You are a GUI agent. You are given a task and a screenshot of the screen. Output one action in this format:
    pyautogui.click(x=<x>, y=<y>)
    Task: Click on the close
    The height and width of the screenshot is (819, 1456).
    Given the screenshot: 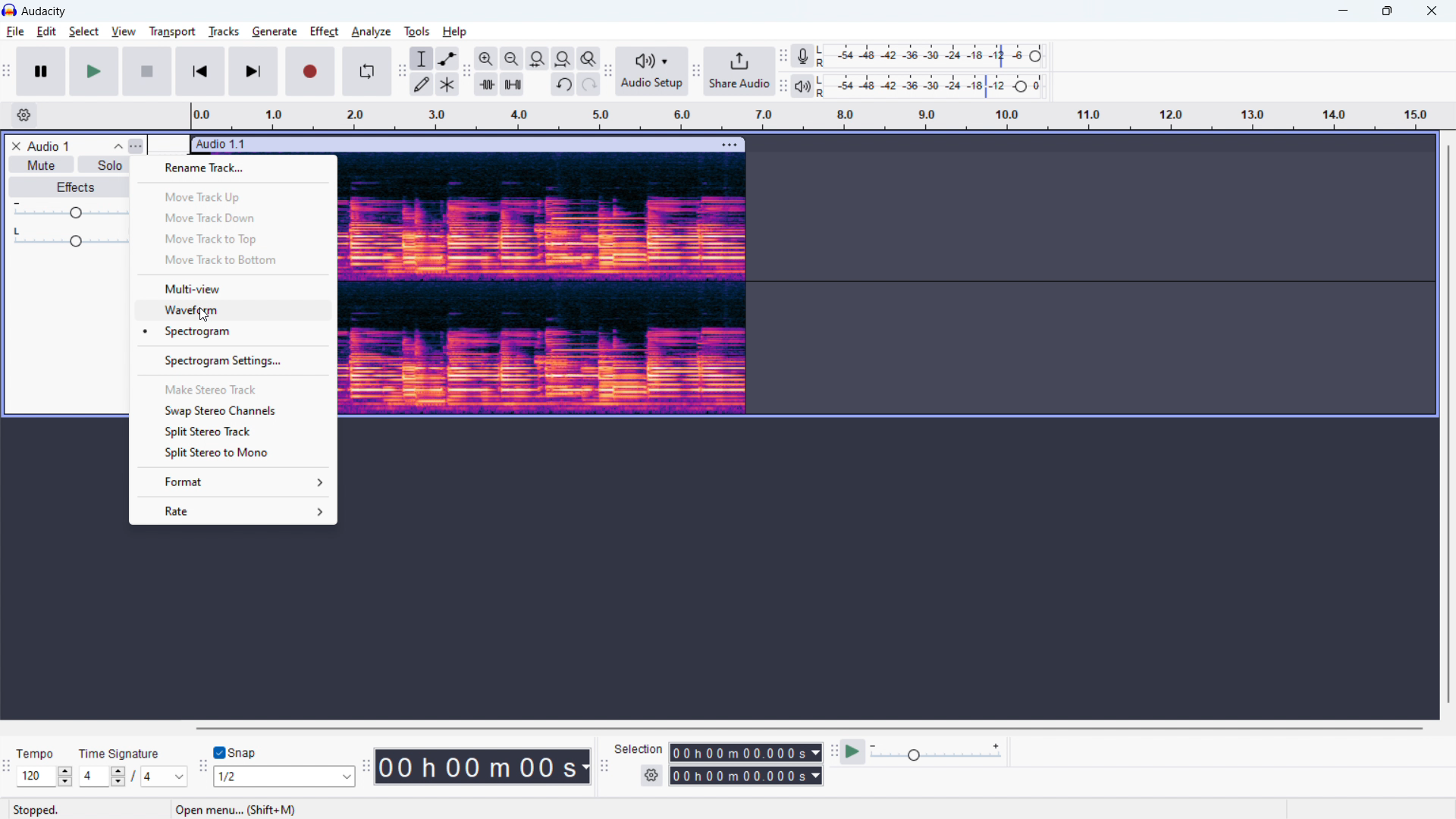 What is the action you would take?
    pyautogui.click(x=1431, y=11)
    